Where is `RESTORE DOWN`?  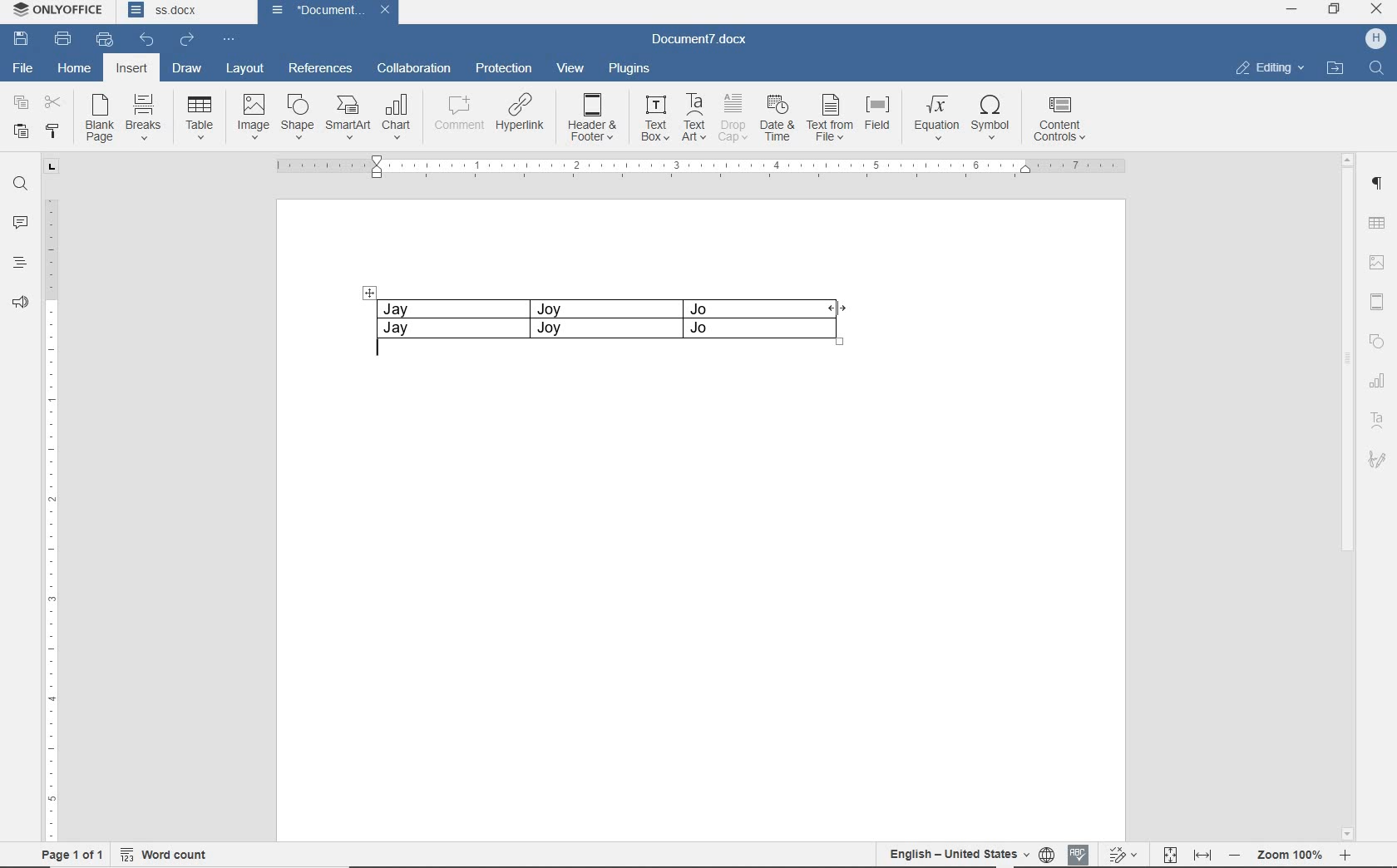
RESTORE DOWN is located at coordinates (1337, 8).